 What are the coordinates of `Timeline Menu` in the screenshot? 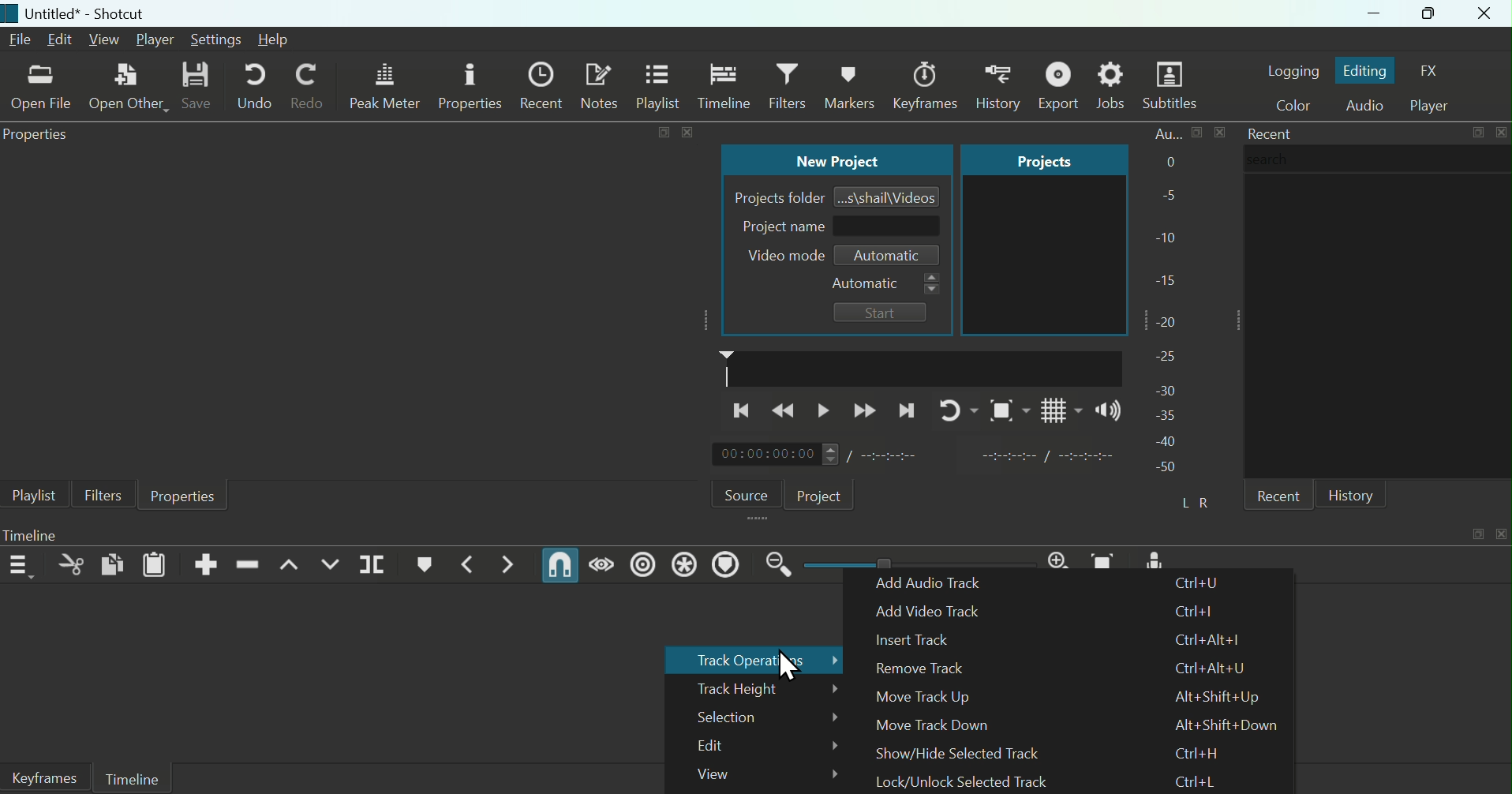 It's located at (22, 565).